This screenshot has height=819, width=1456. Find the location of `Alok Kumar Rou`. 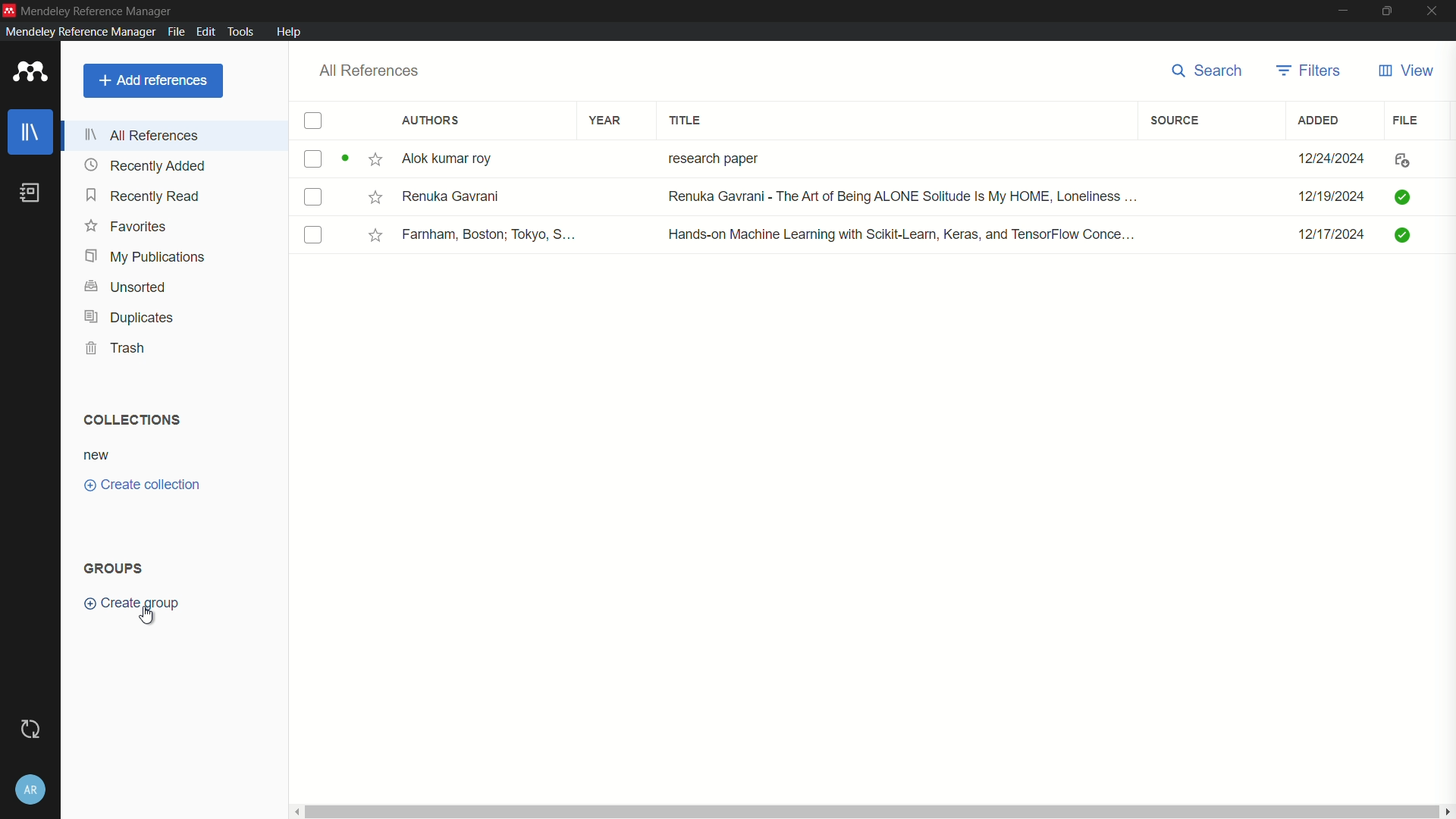

Alok Kumar Rou is located at coordinates (452, 160).